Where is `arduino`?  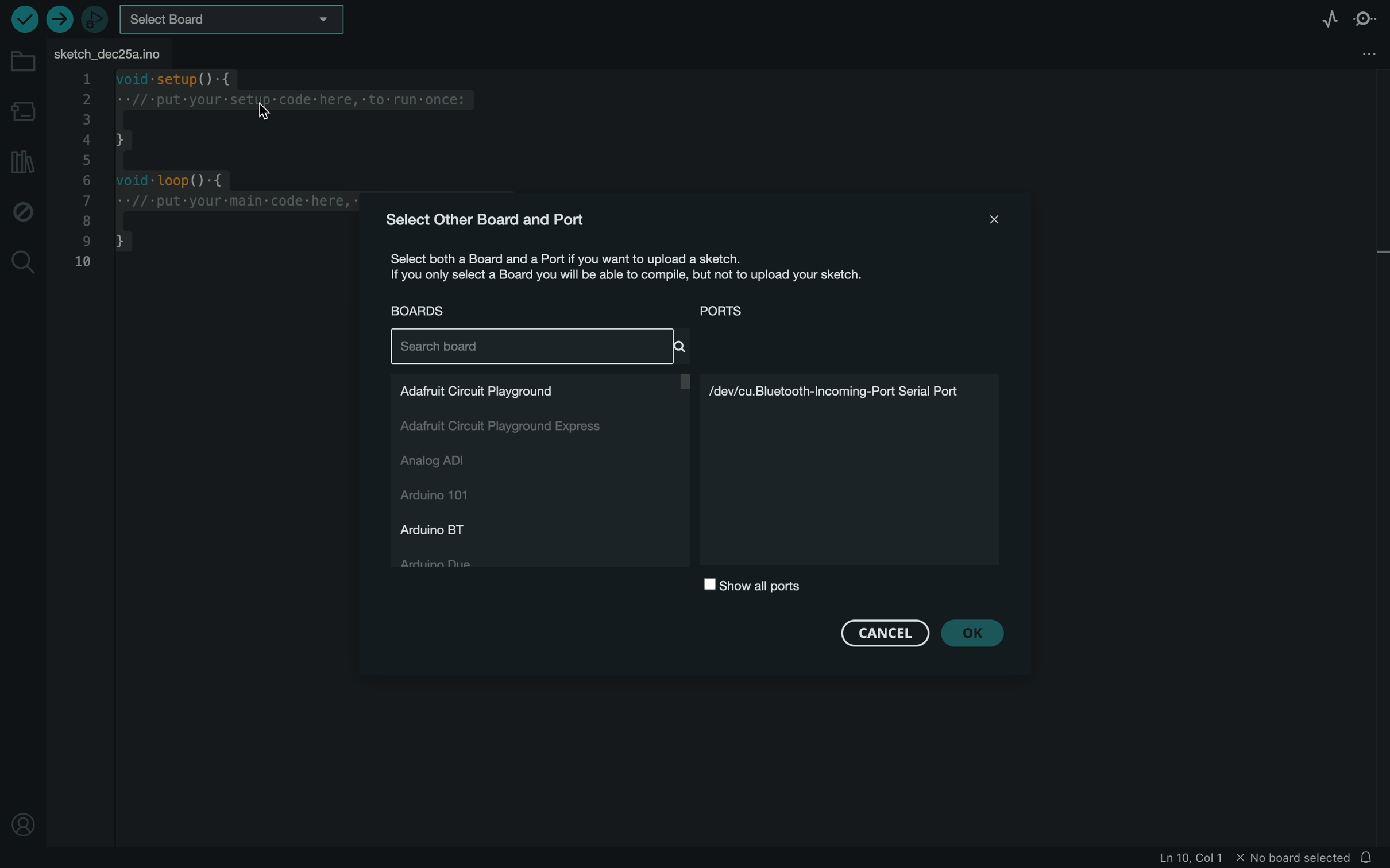 arduino is located at coordinates (449, 497).